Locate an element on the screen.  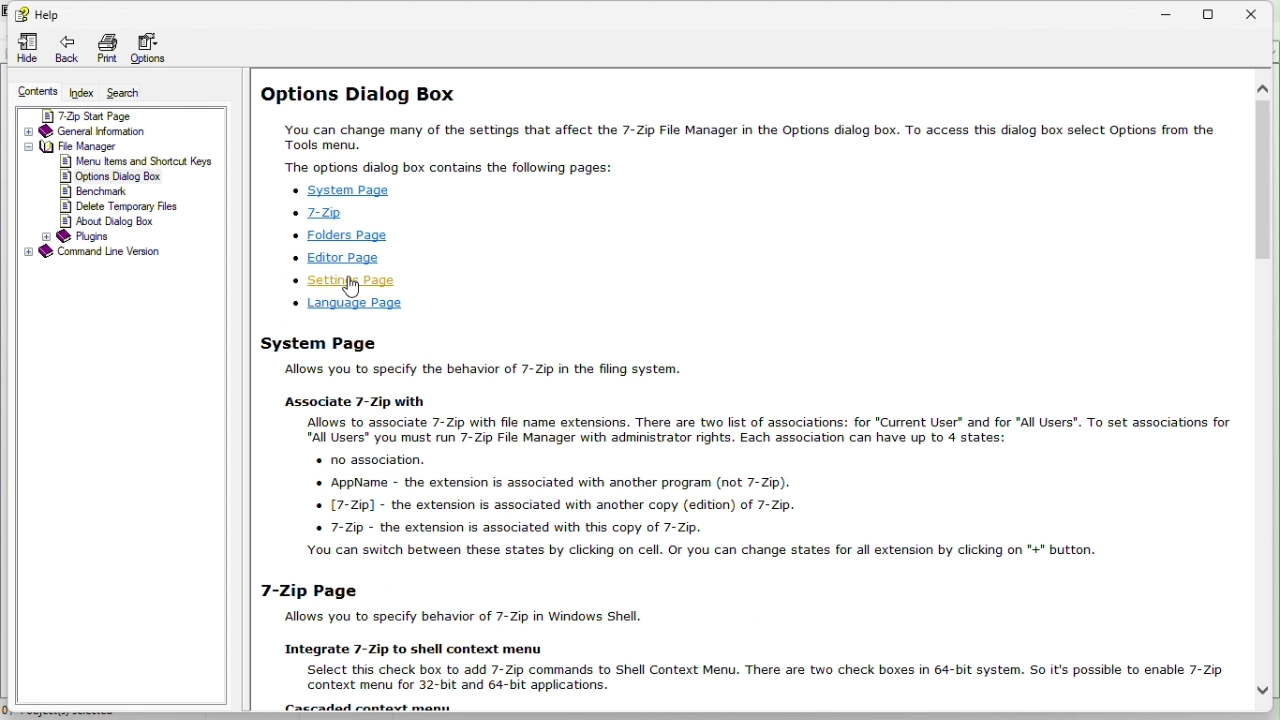
close is located at coordinates (1259, 11).